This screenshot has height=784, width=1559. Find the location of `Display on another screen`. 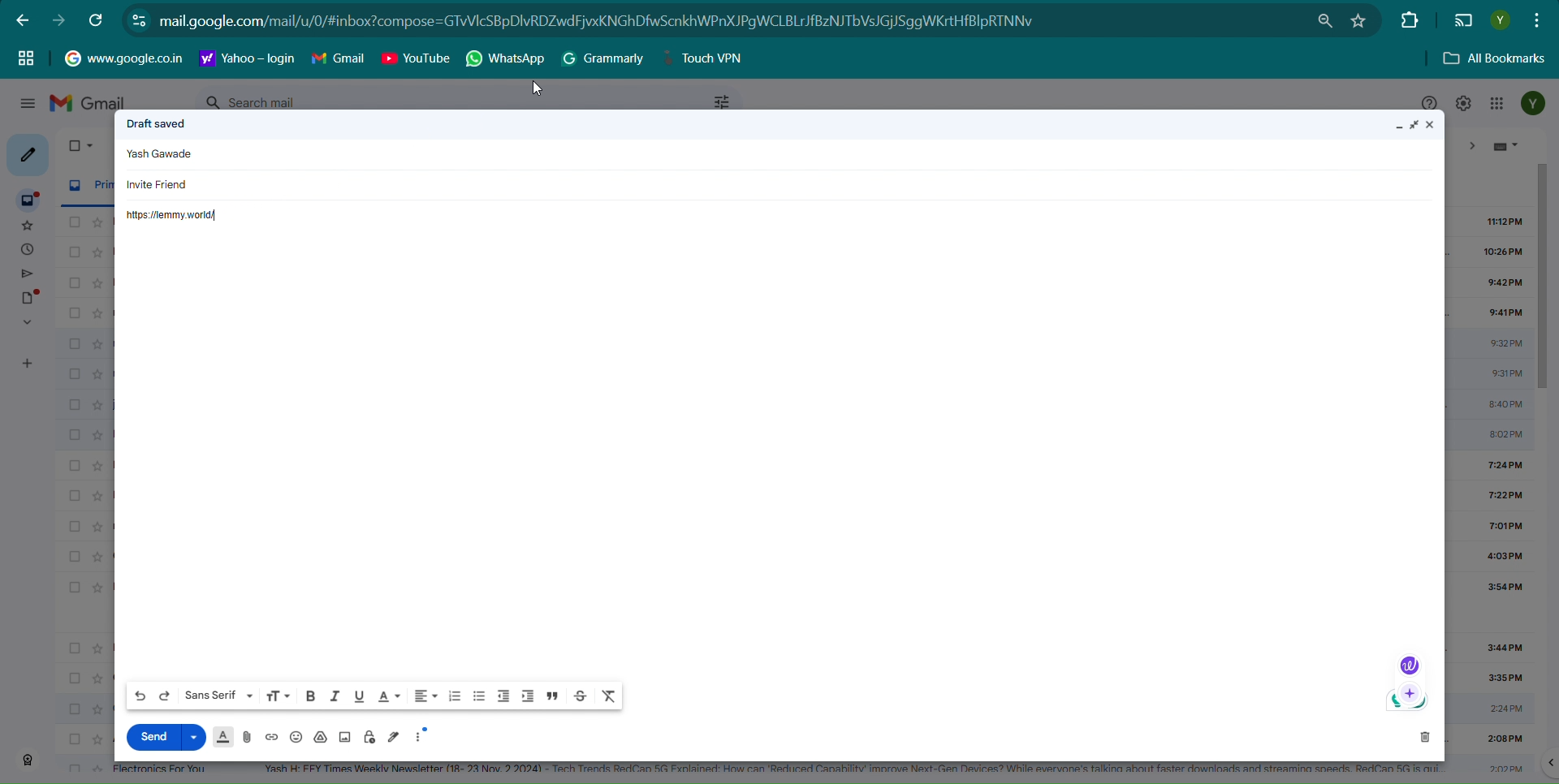

Display on another screen is located at coordinates (1463, 21).